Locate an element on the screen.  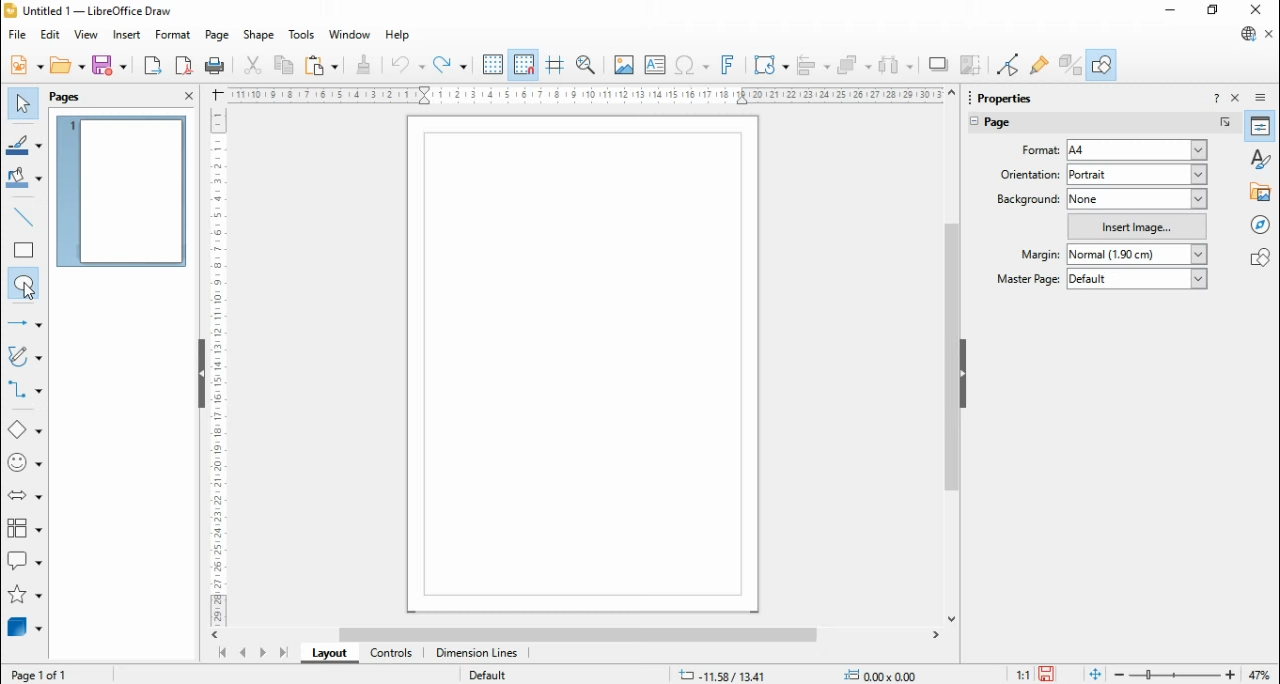
page 1 is located at coordinates (123, 191).